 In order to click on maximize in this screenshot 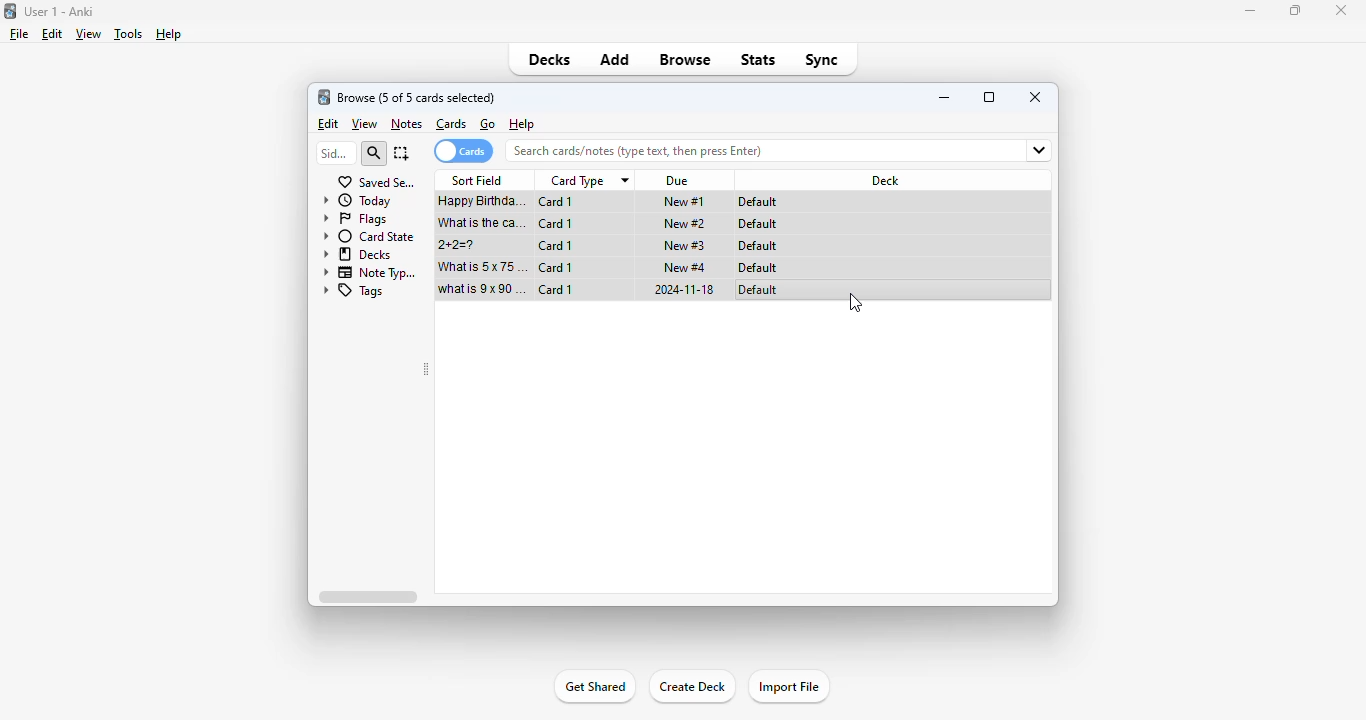, I will do `click(989, 96)`.